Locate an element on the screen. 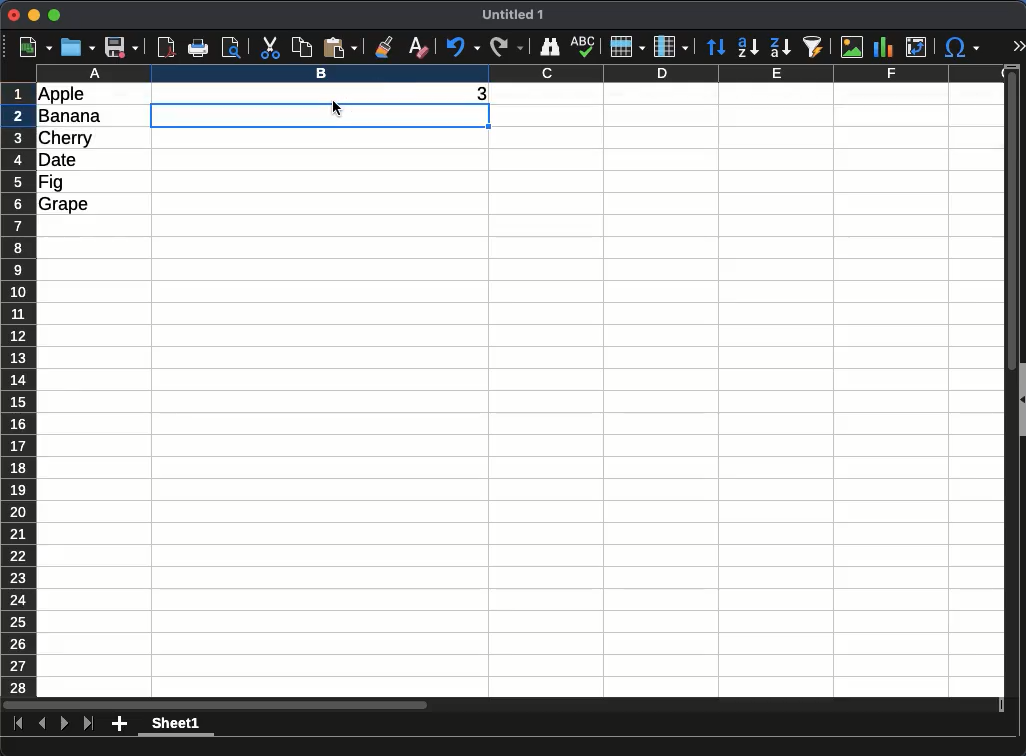  autofilter is located at coordinates (813, 47).